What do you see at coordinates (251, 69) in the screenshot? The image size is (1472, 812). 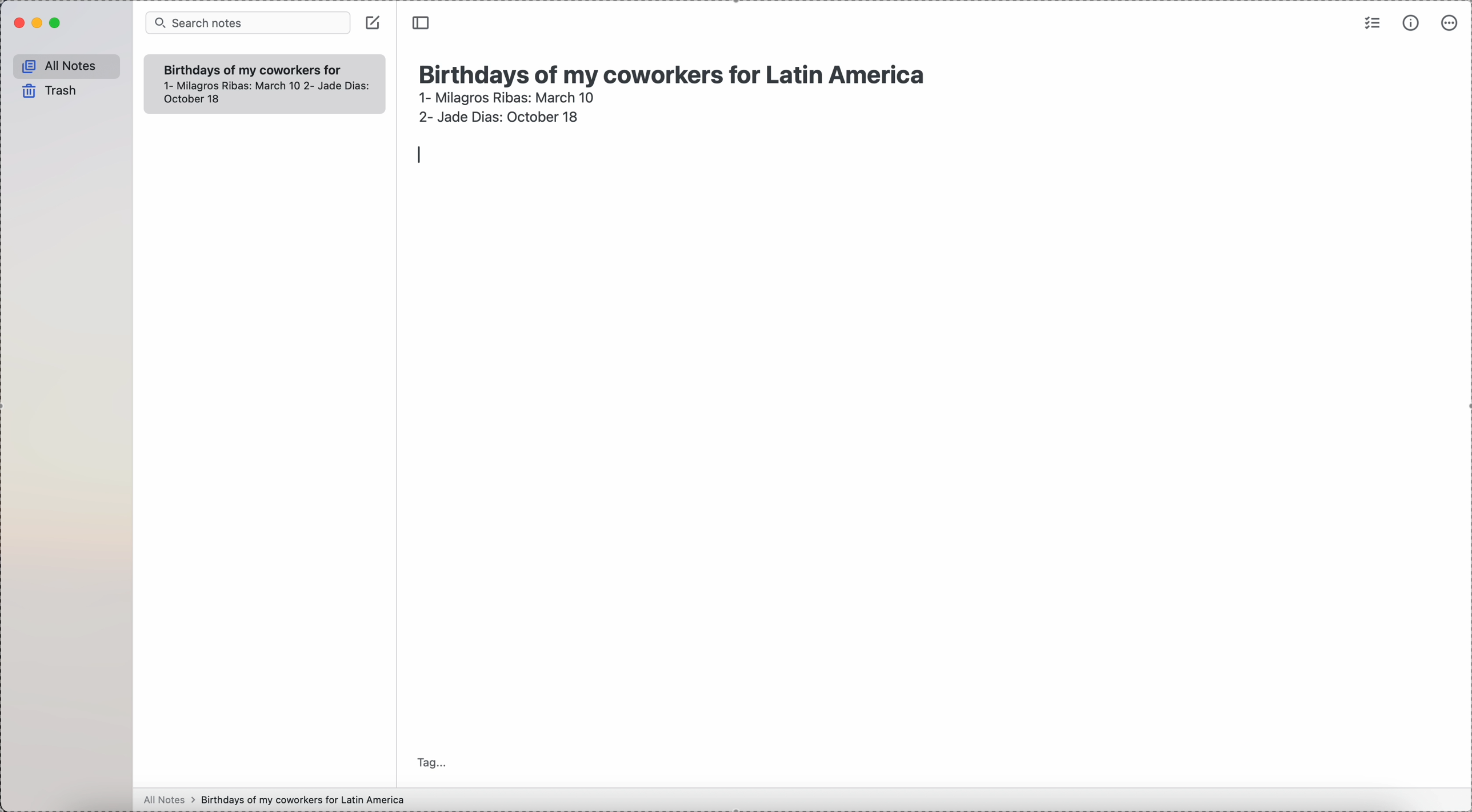 I see `Birthdays of my coworkers for Latin America` at bounding box center [251, 69].